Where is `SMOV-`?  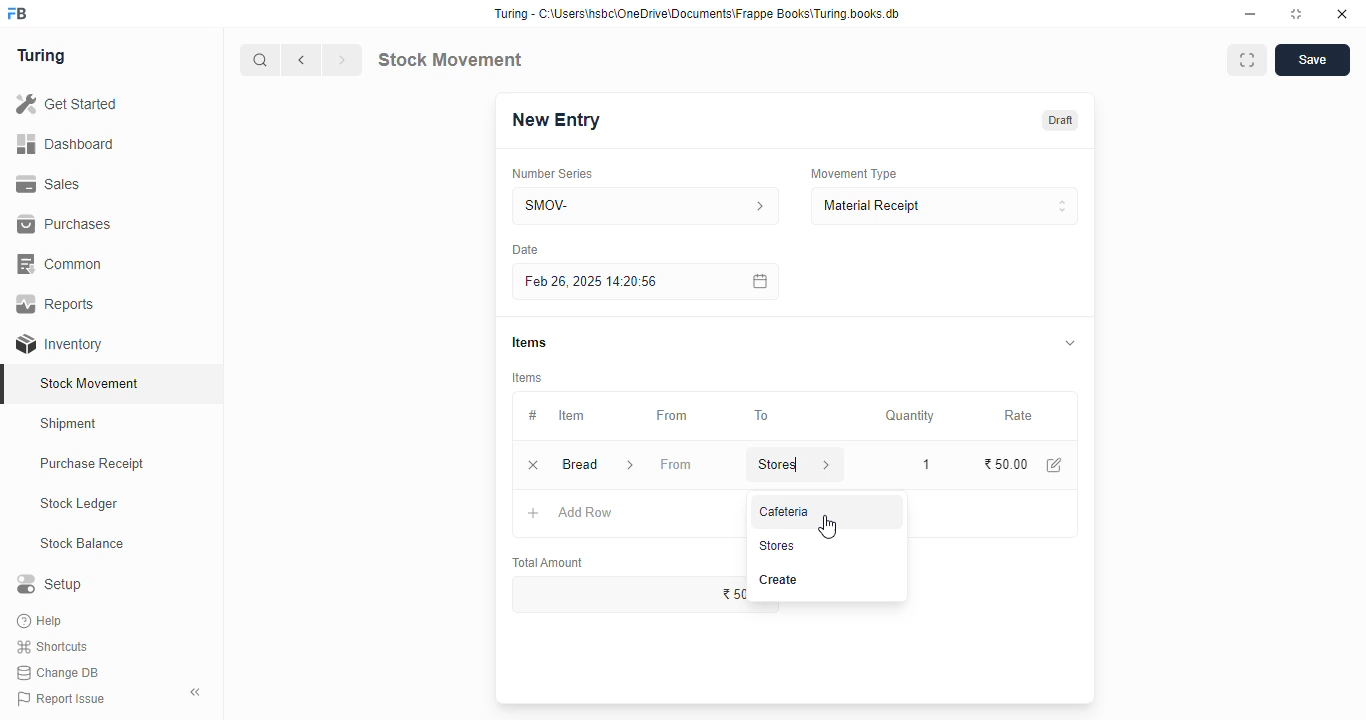 SMOV- is located at coordinates (647, 205).